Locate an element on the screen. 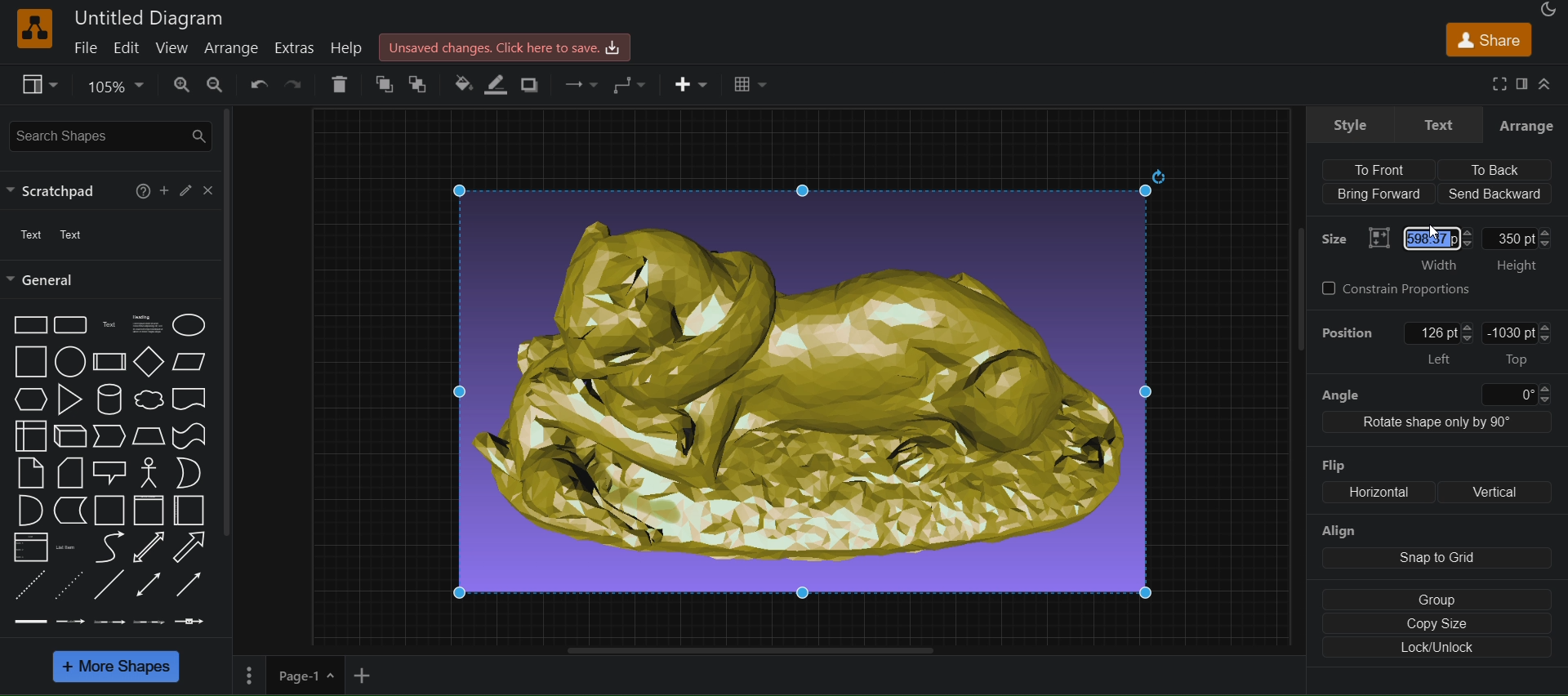 The image size is (1568, 696). fullscreen is located at coordinates (1499, 84).